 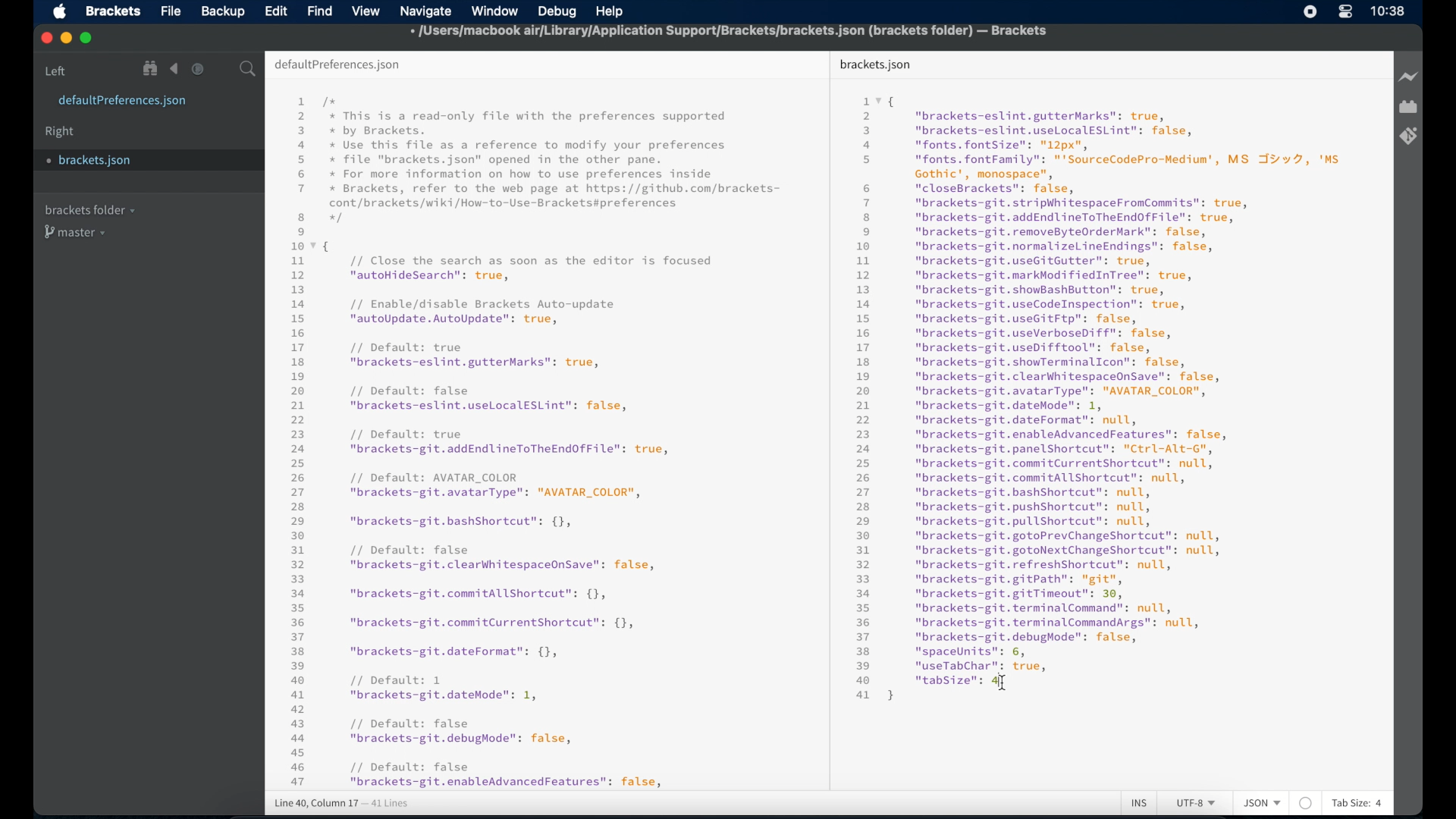 What do you see at coordinates (1263, 802) in the screenshot?
I see `json` at bounding box center [1263, 802].